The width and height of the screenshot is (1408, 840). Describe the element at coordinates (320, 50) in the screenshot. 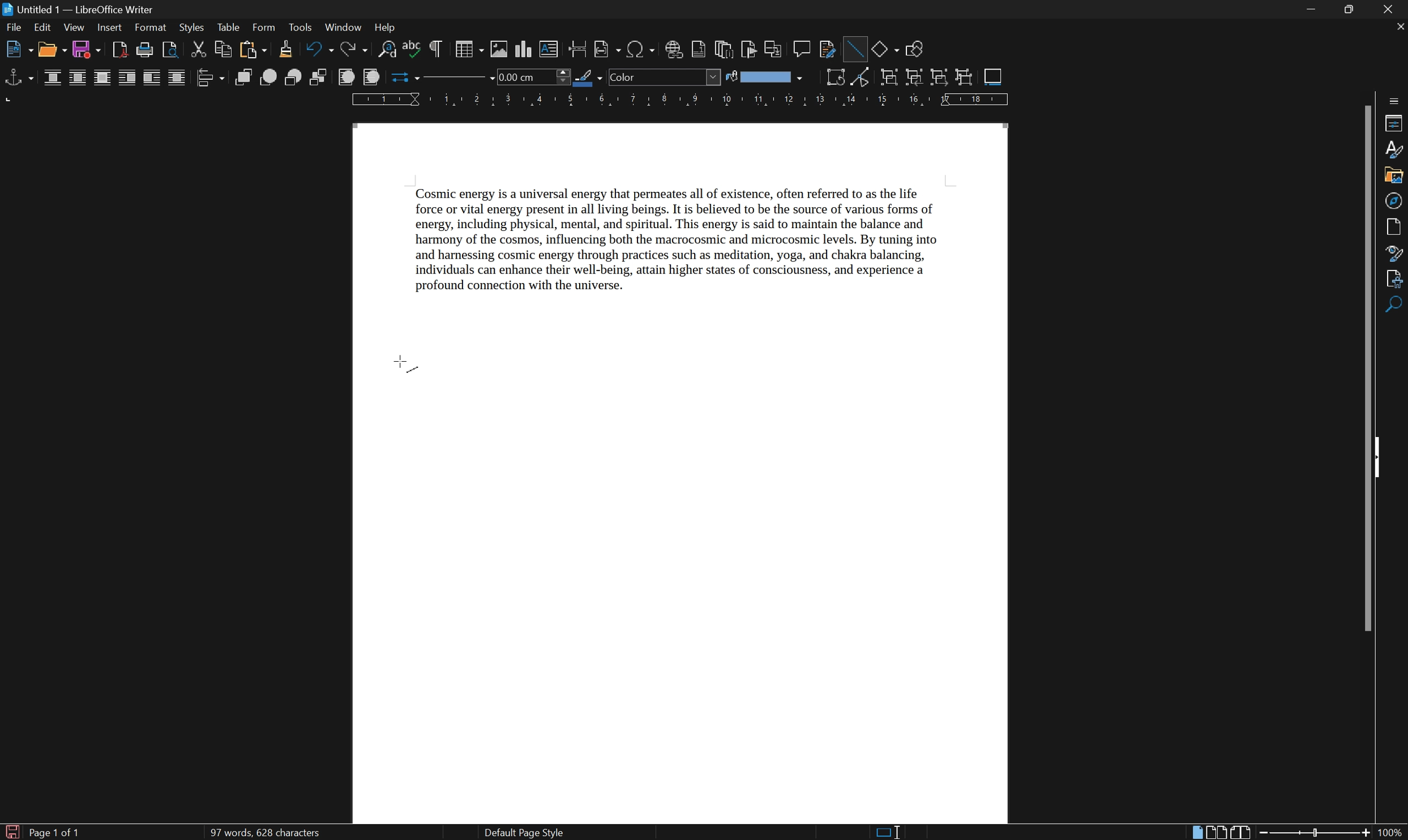

I see `undo` at that location.